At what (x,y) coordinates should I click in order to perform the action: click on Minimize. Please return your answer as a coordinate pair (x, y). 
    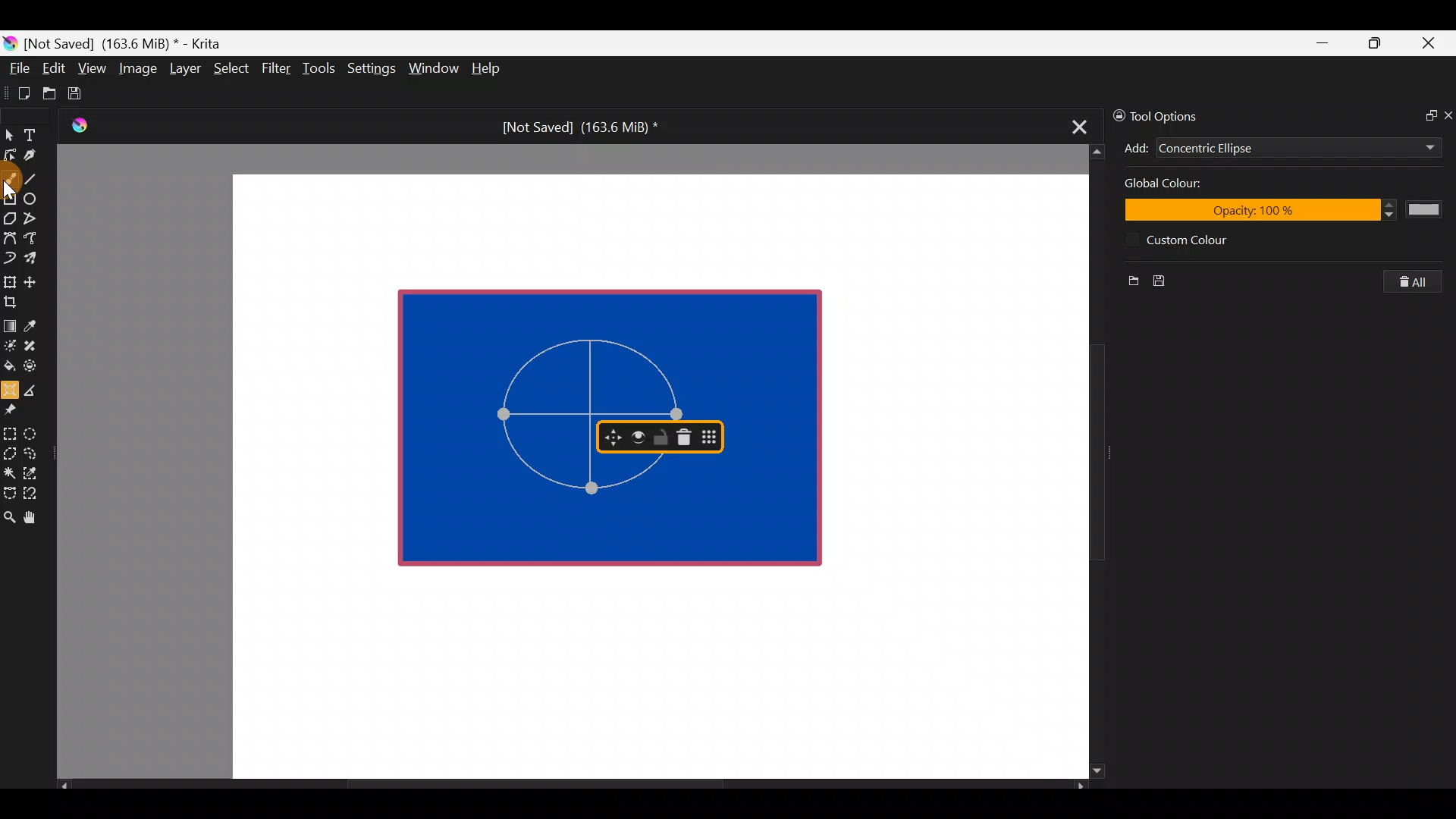
    Looking at the image, I should click on (1323, 43).